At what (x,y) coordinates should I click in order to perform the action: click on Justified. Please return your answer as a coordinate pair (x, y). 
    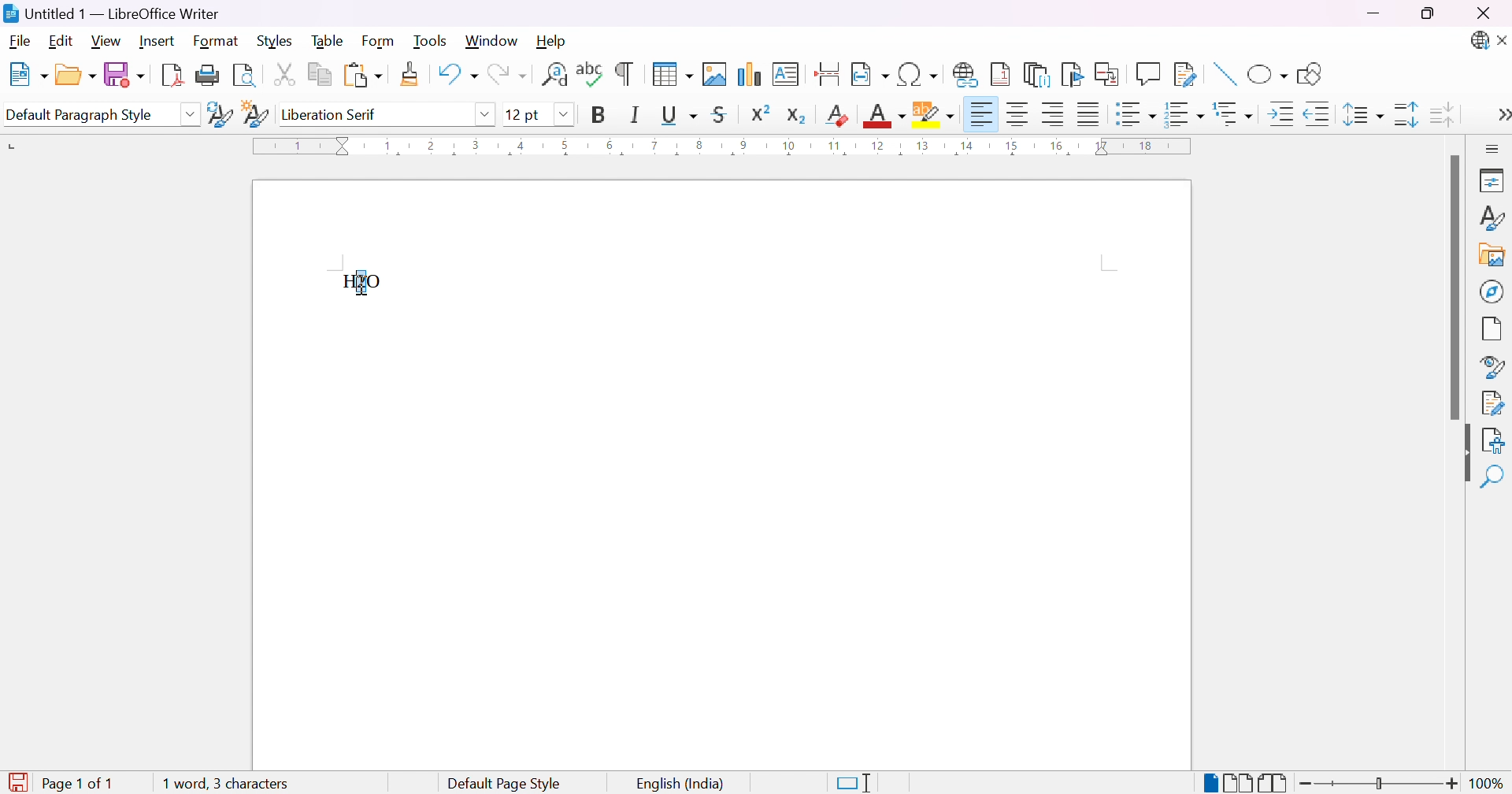
    Looking at the image, I should click on (1089, 113).